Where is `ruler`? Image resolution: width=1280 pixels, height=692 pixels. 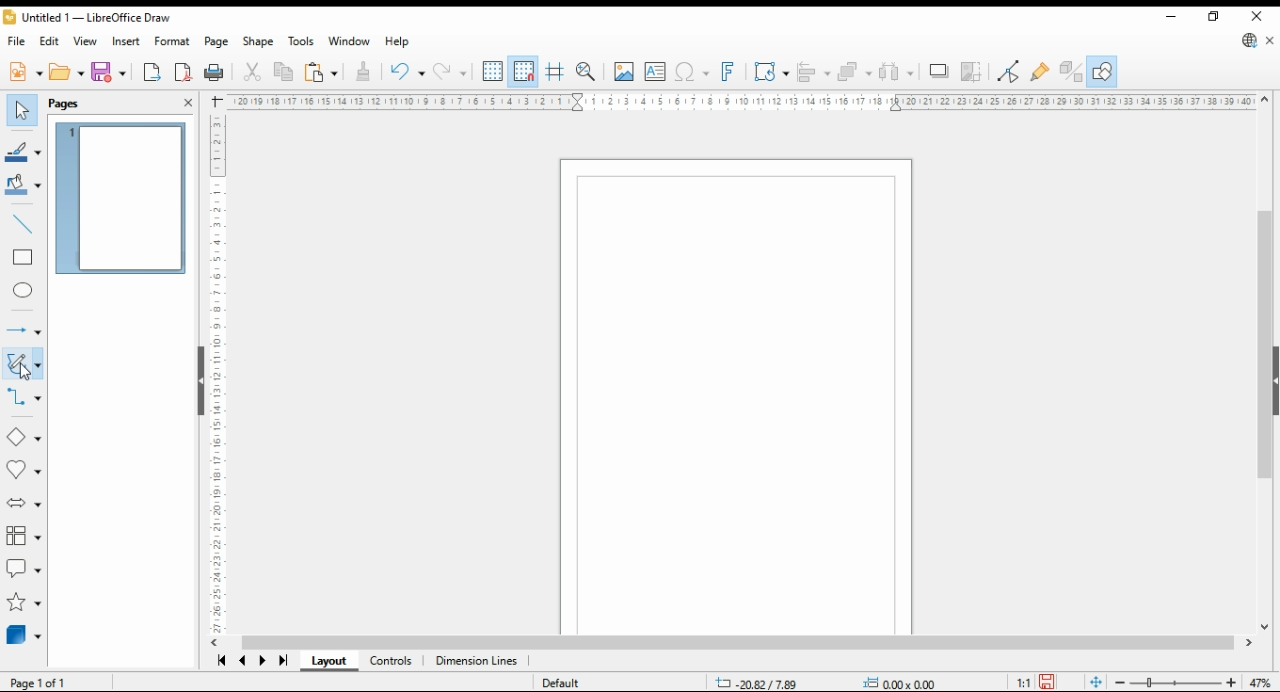 ruler is located at coordinates (210, 375).